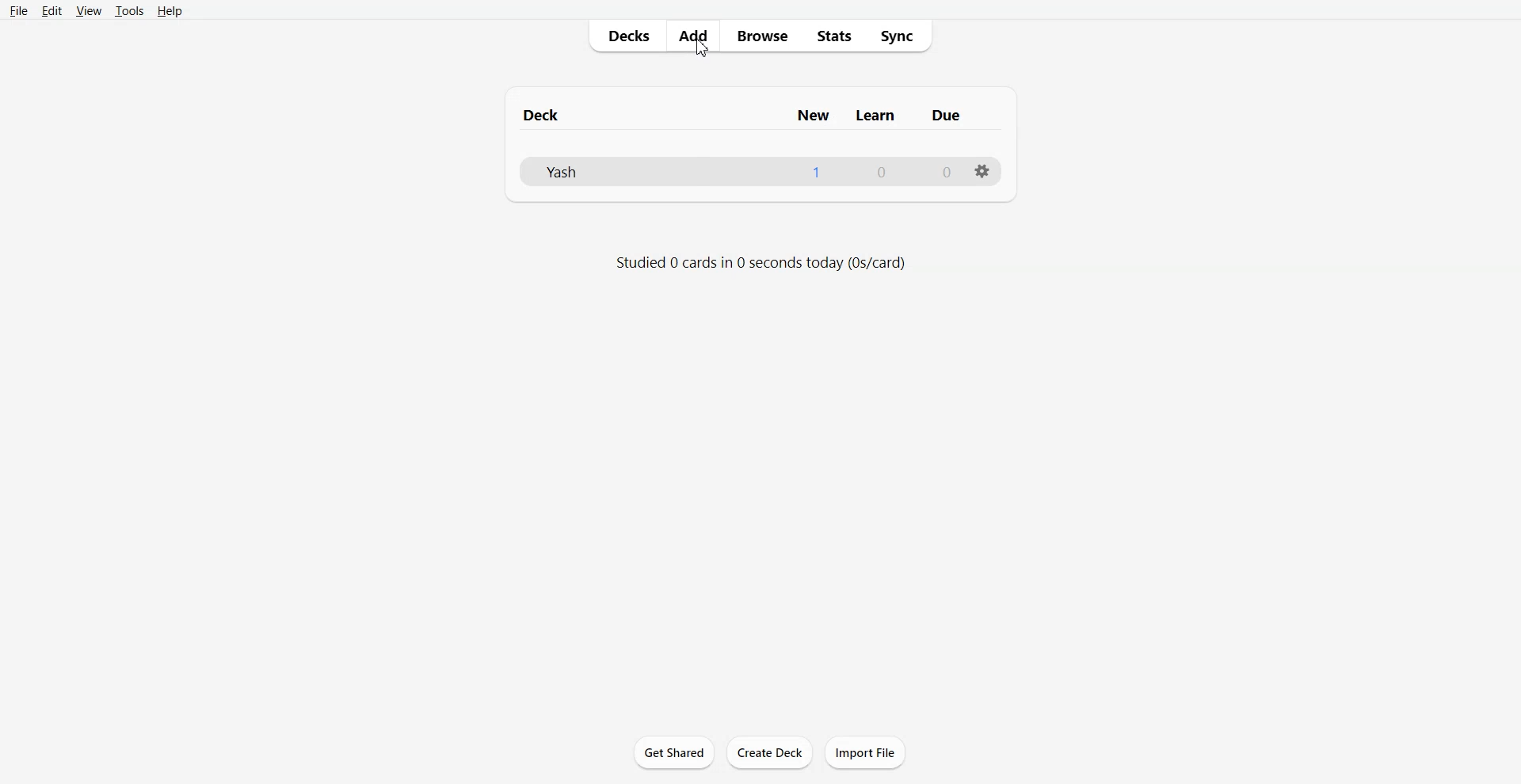 The width and height of the screenshot is (1521, 784). I want to click on Cursor, so click(701, 49).